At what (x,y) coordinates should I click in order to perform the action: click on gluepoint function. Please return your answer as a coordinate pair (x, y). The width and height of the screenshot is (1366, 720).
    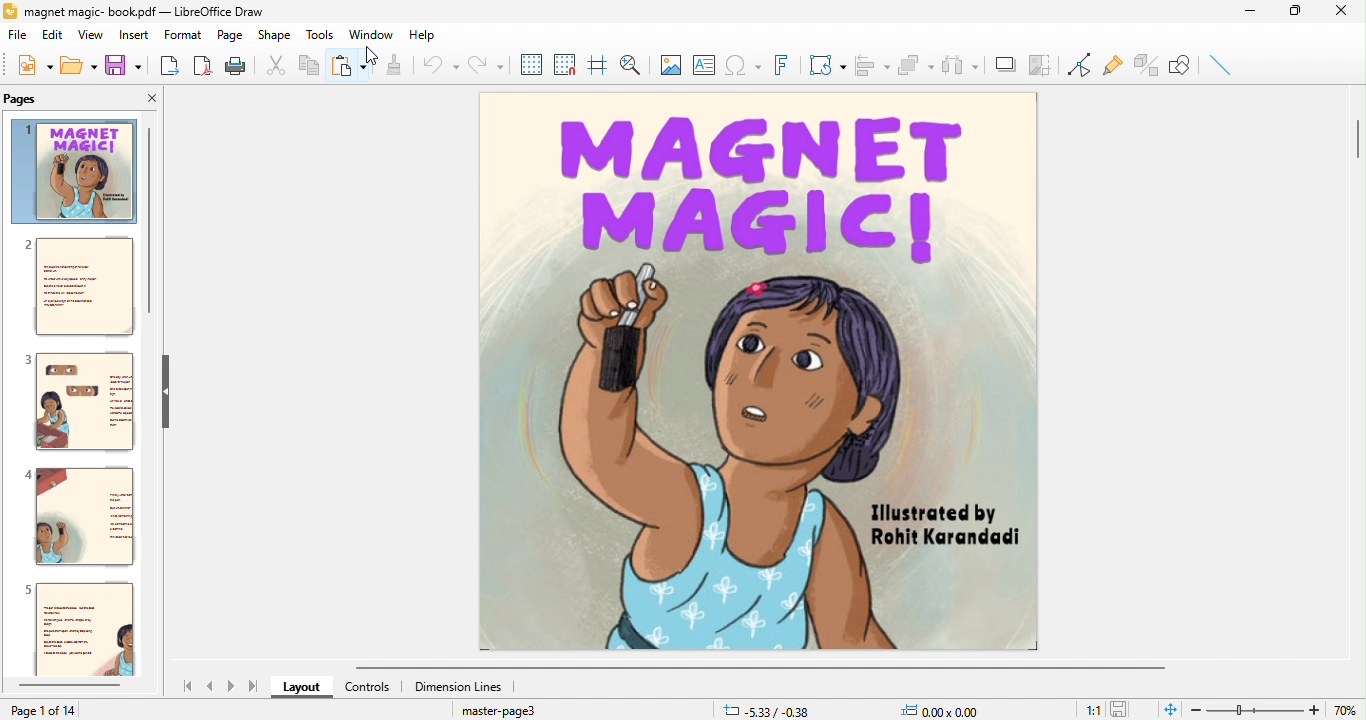
    Looking at the image, I should click on (1111, 67).